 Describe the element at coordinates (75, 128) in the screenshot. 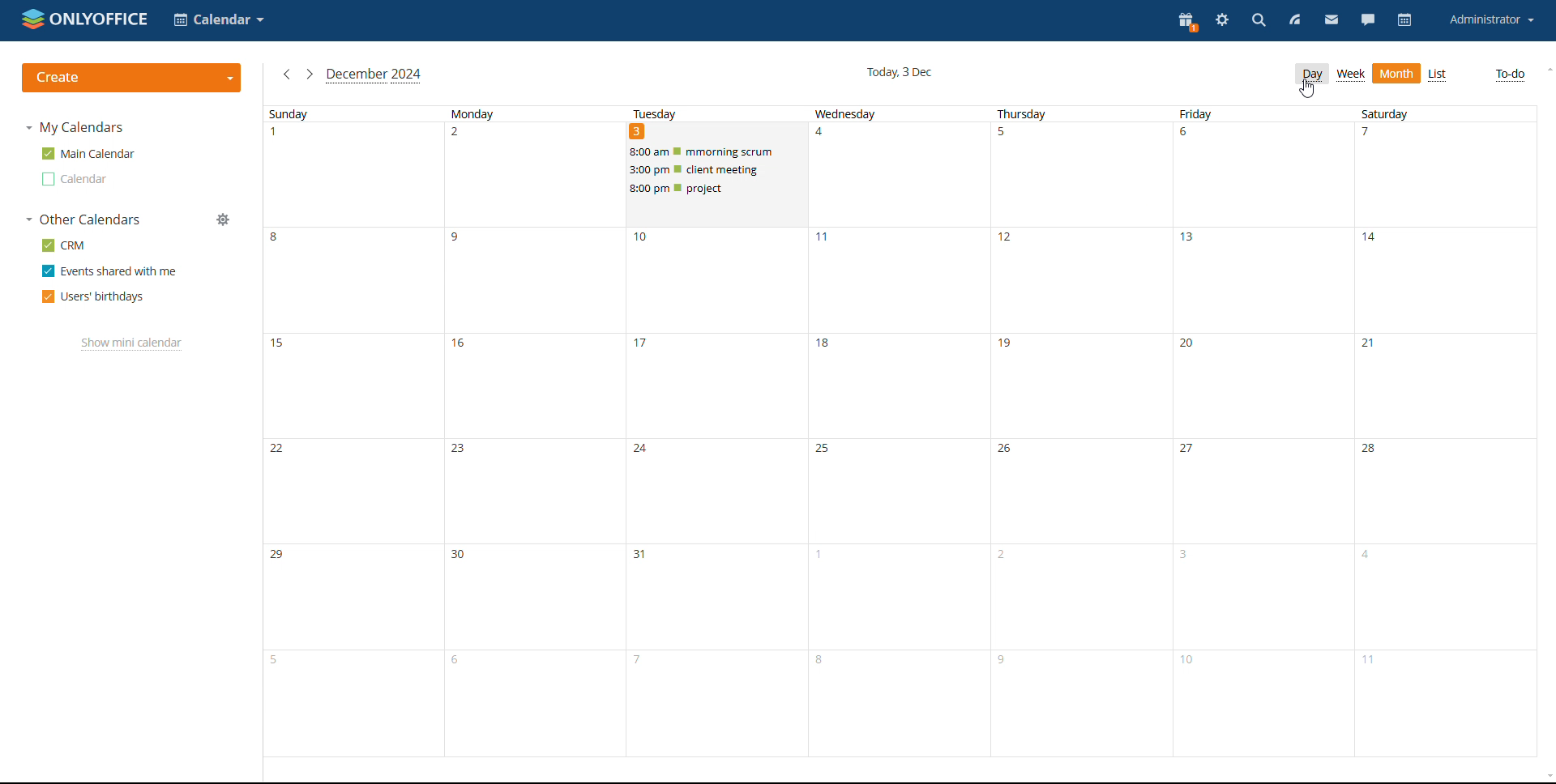

I see `my calendars` at that location.